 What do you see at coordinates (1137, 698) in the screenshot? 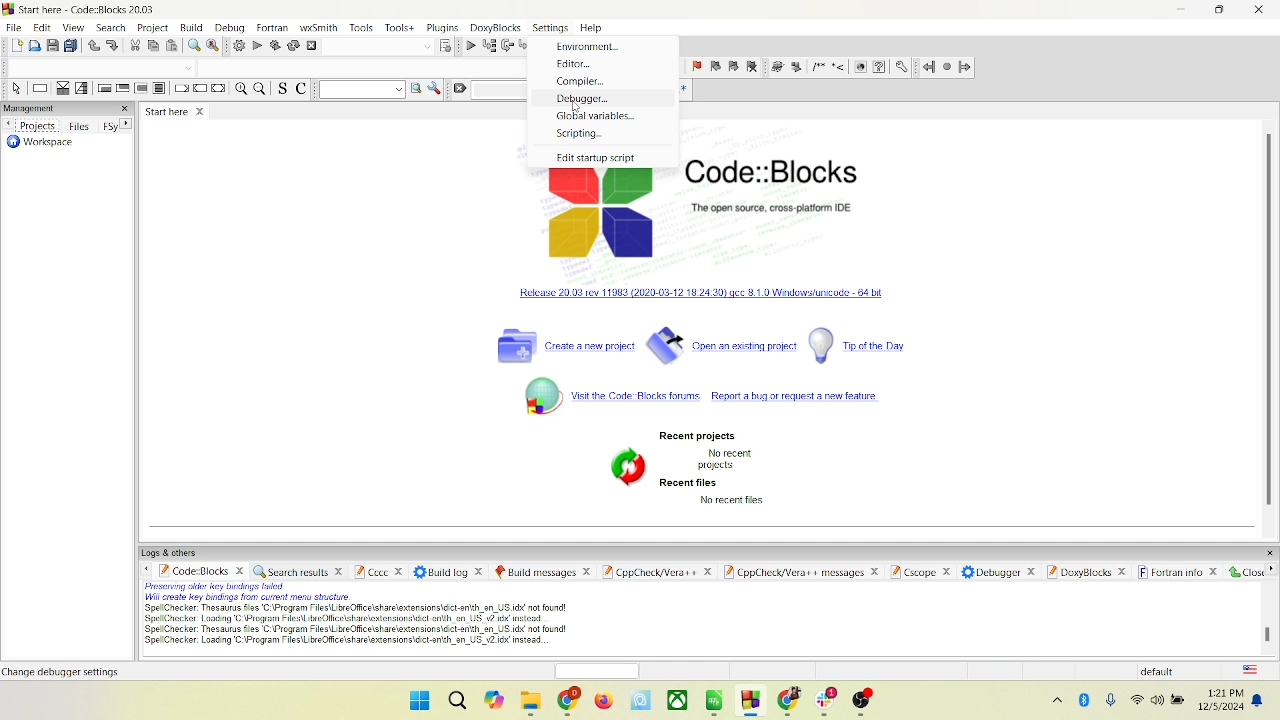
I see `wifi` at bounding box center [1137, 698].